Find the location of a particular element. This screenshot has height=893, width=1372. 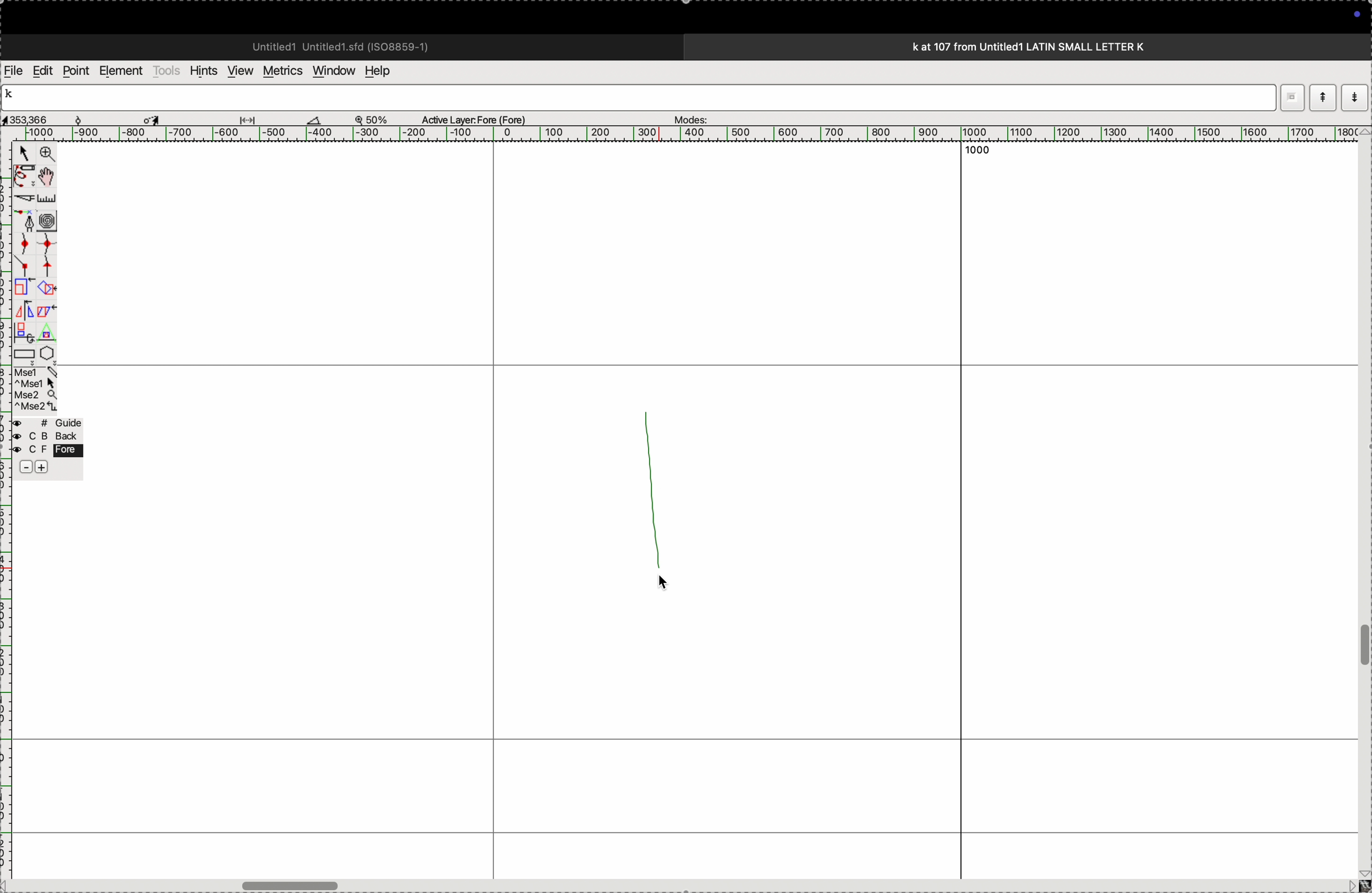

random line is located at coordinates (655, 485).